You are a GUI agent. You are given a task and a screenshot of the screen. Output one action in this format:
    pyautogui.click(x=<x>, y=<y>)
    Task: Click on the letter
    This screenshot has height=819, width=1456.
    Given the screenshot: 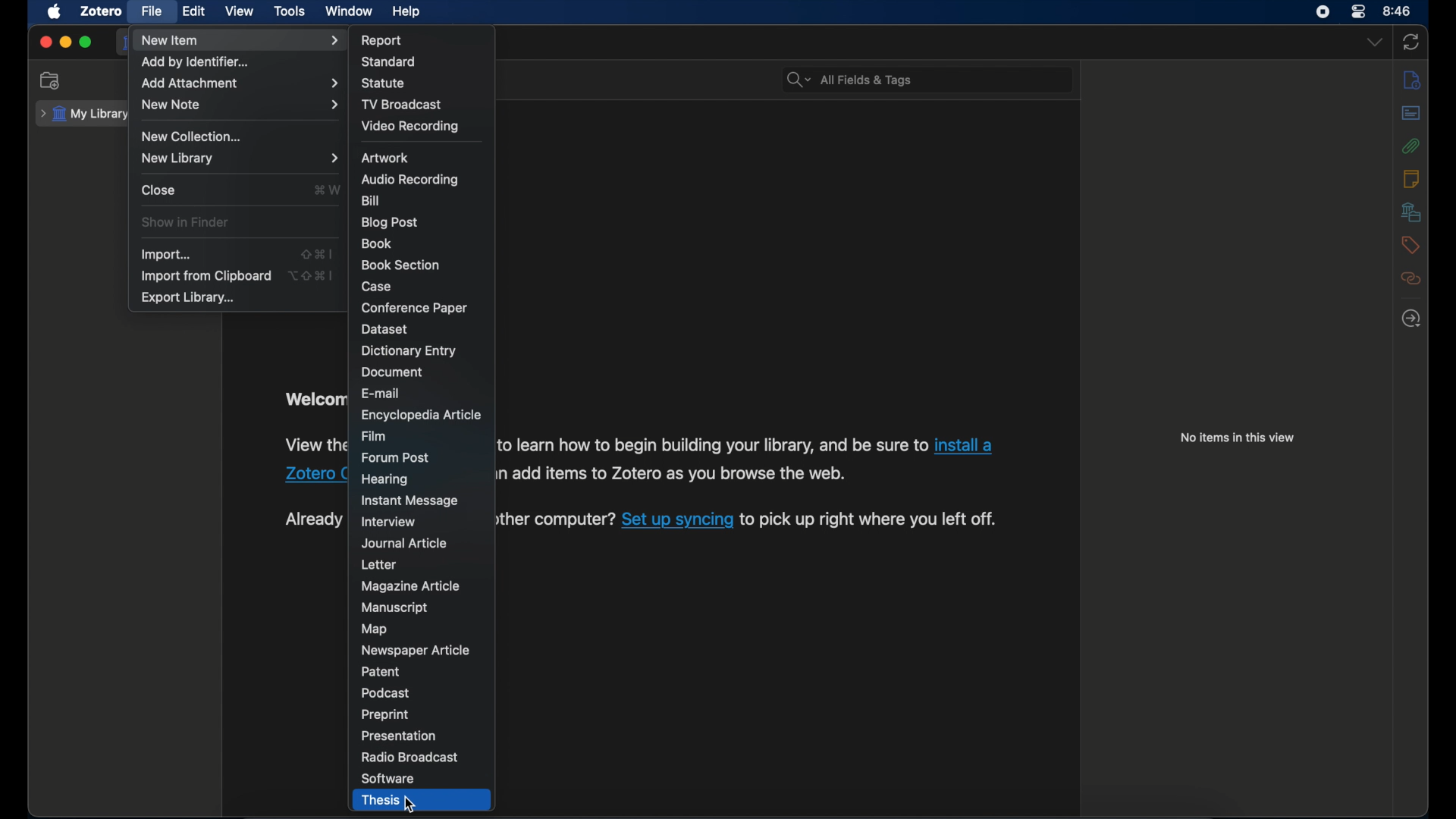 What is the action you would take?
    pyautogui.click(x=378, y=564)
    